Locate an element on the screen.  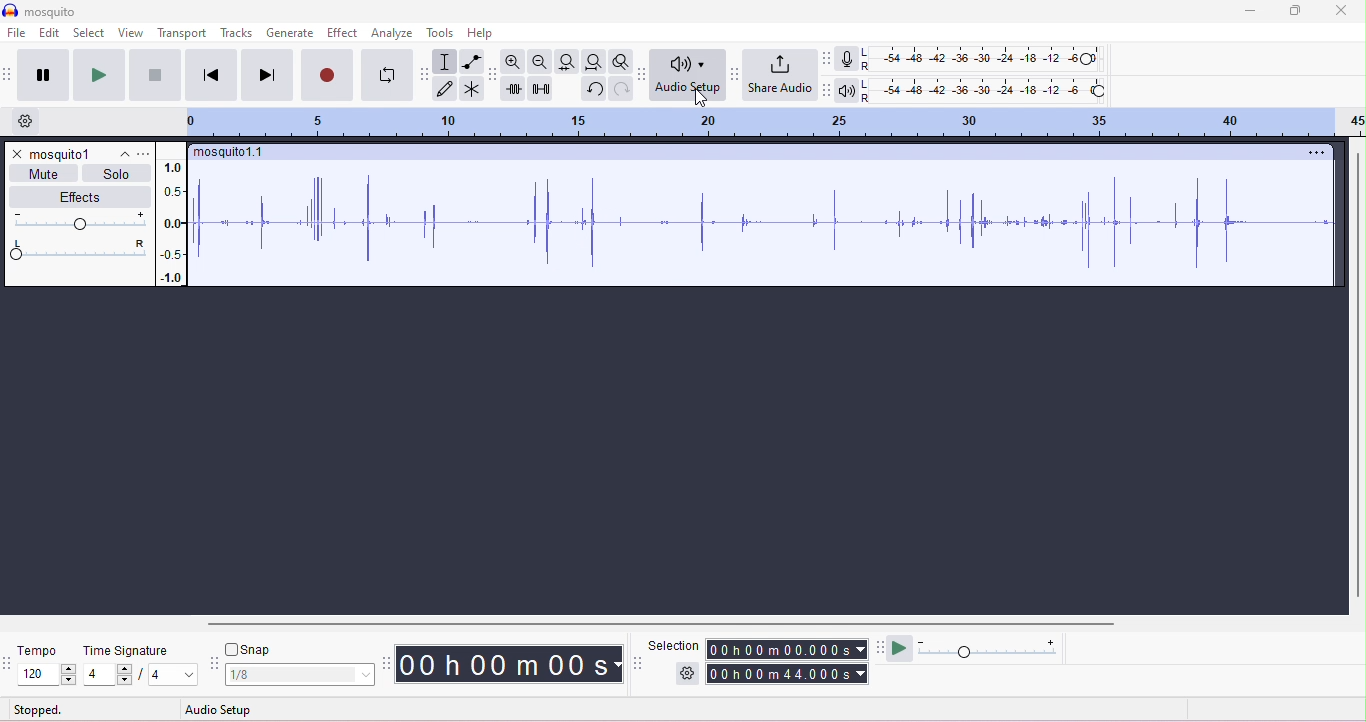
fit selection to width is located at coordinates (565, 61).